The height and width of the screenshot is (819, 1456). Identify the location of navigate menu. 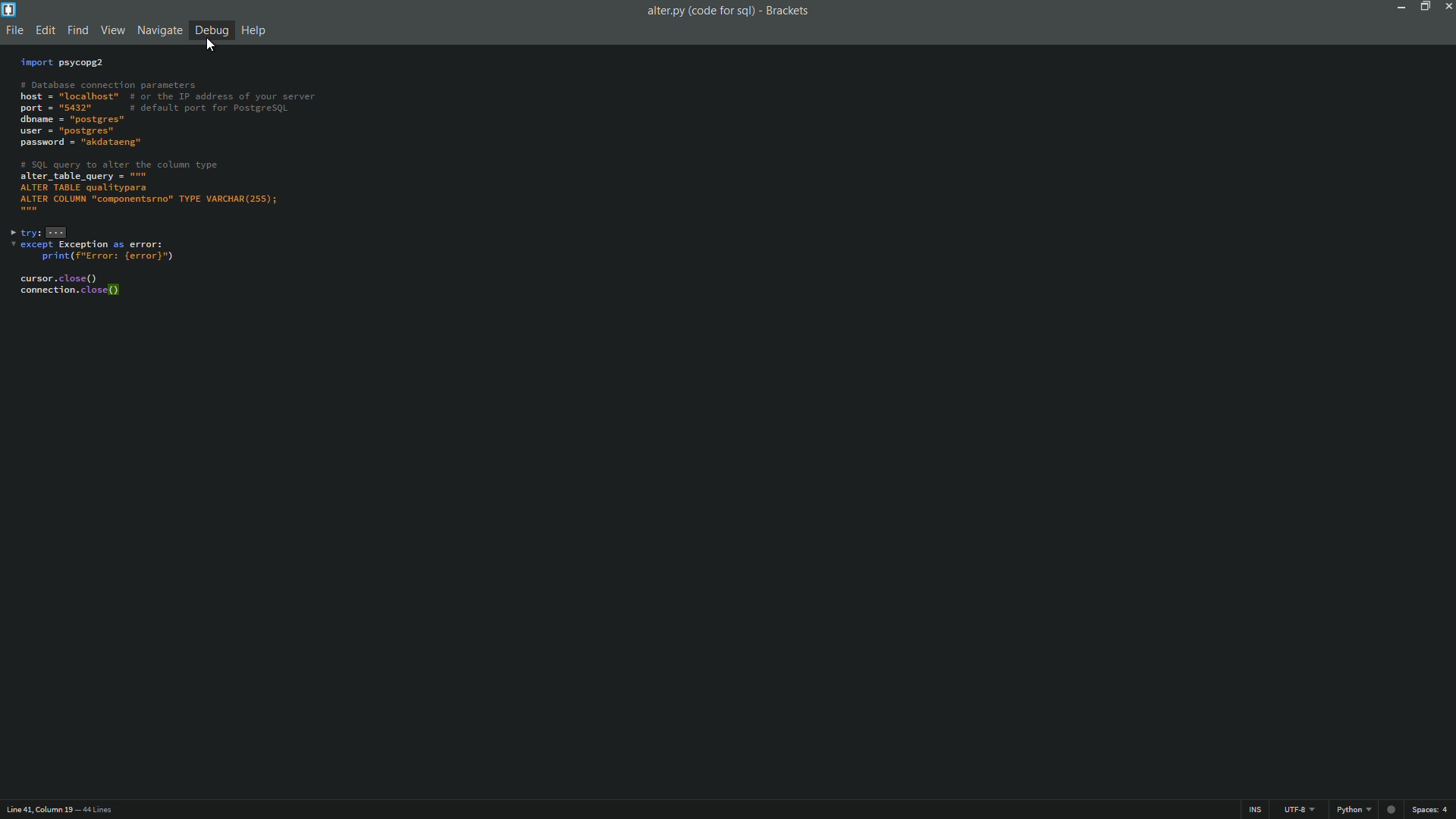
(158, 30).